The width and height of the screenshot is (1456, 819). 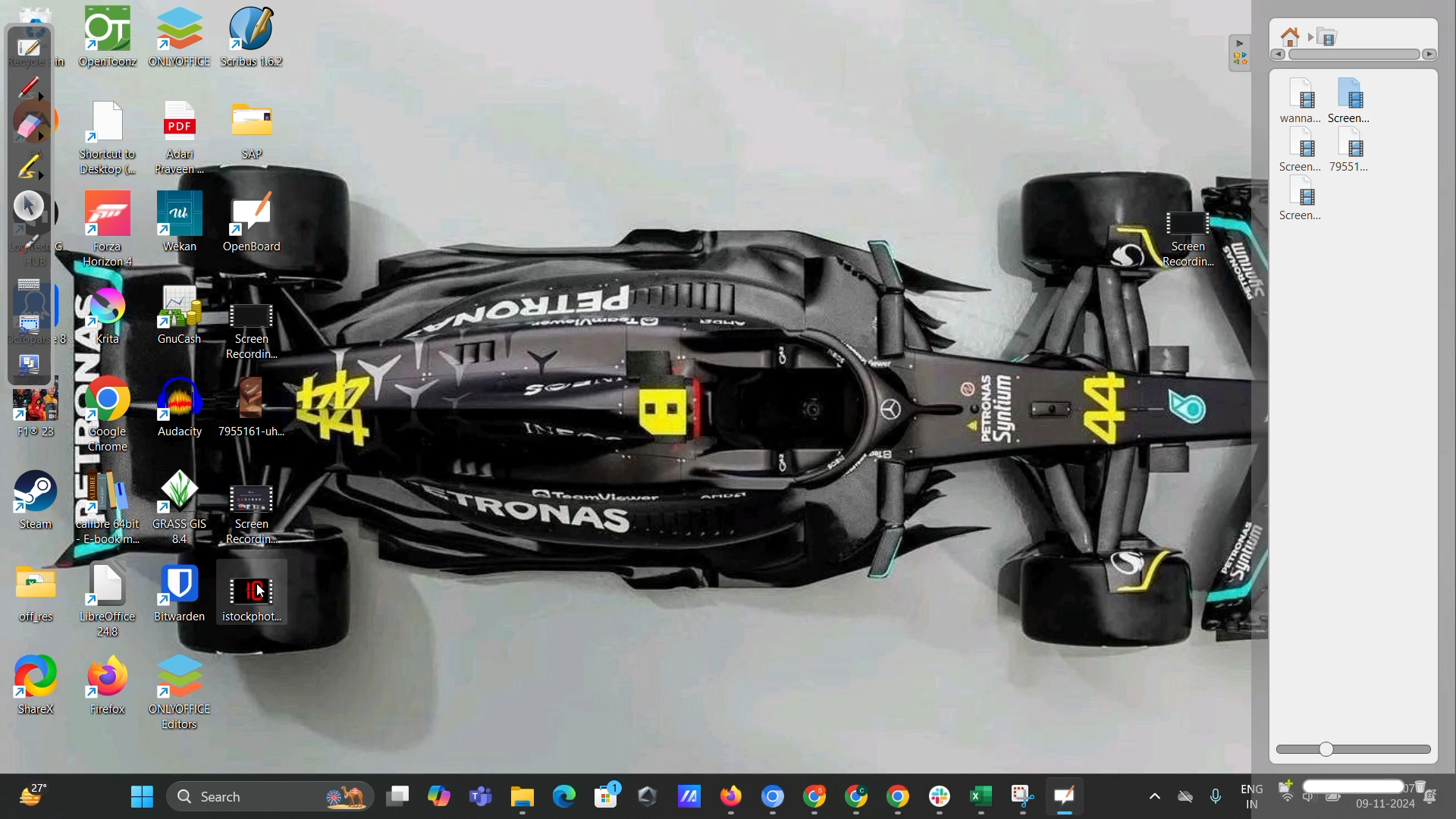 What do you see at coordinates (1293, 34) in the screenshot?
I see `root` at bounding box center [1293, 34].